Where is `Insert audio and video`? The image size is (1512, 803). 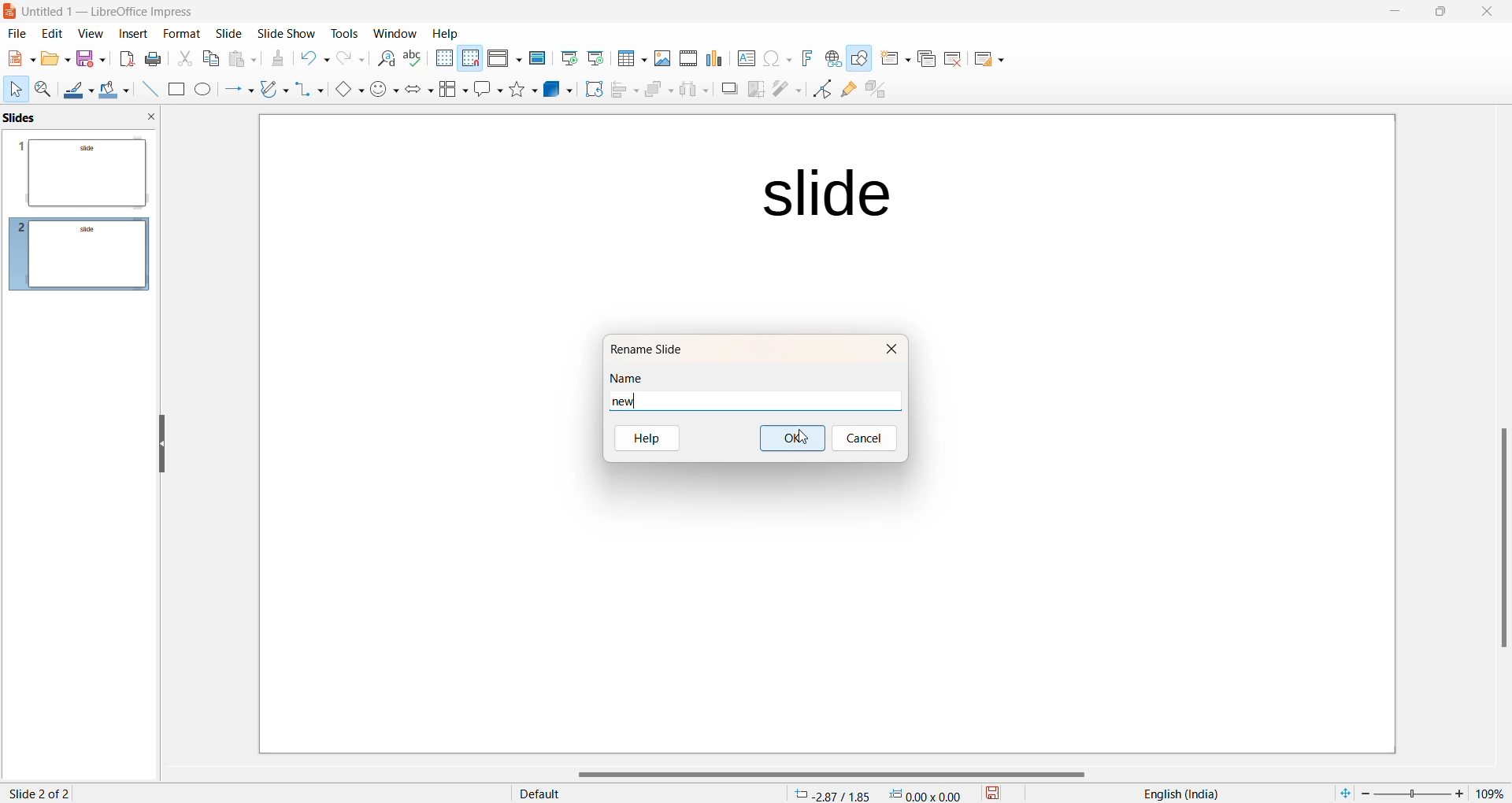
Insert audio and video is located at coordinates (686, 57).